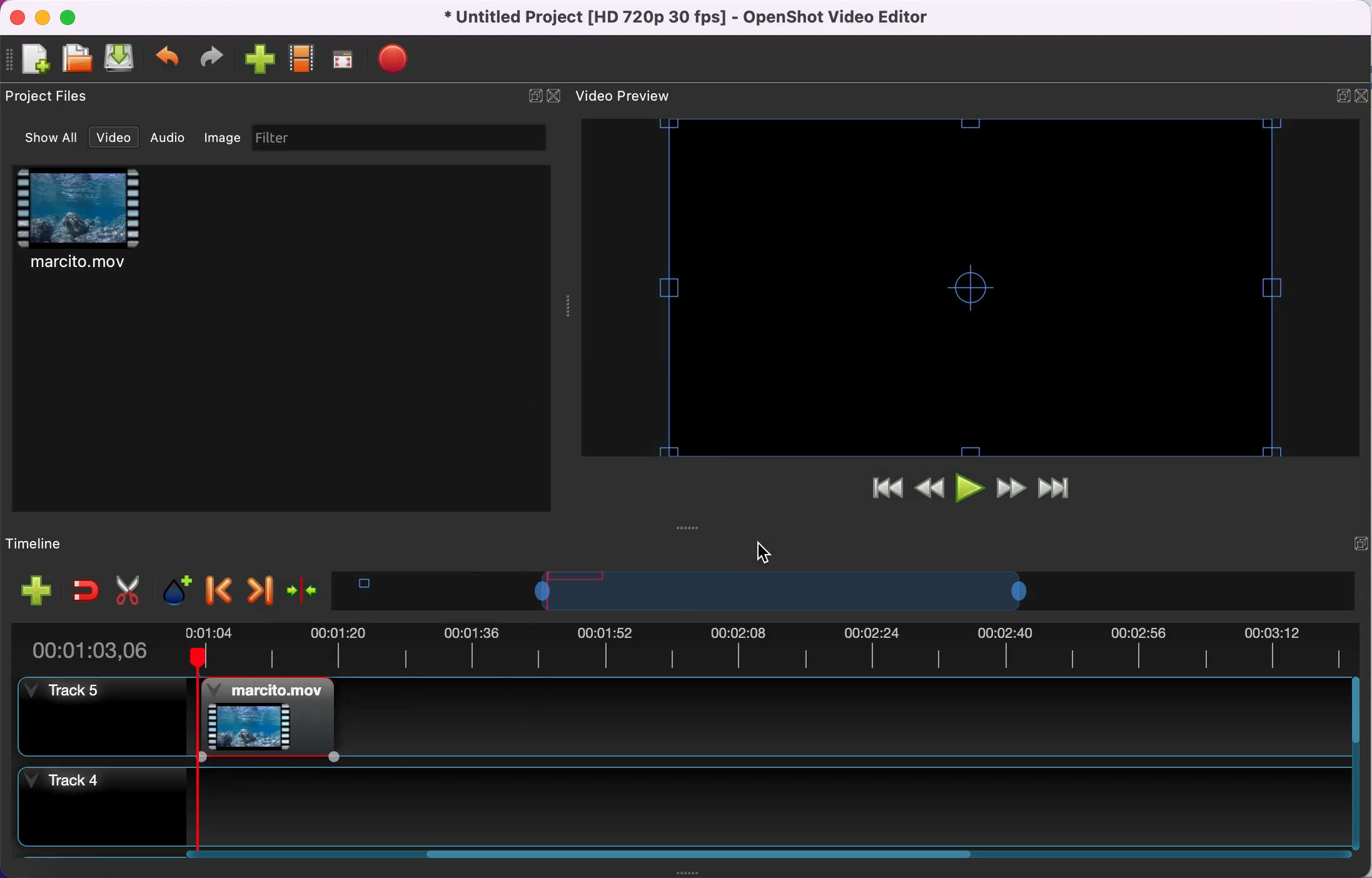 The width and height of the screenshot is (1372, 878). I want to click on fade in applied, so click(282, 720).